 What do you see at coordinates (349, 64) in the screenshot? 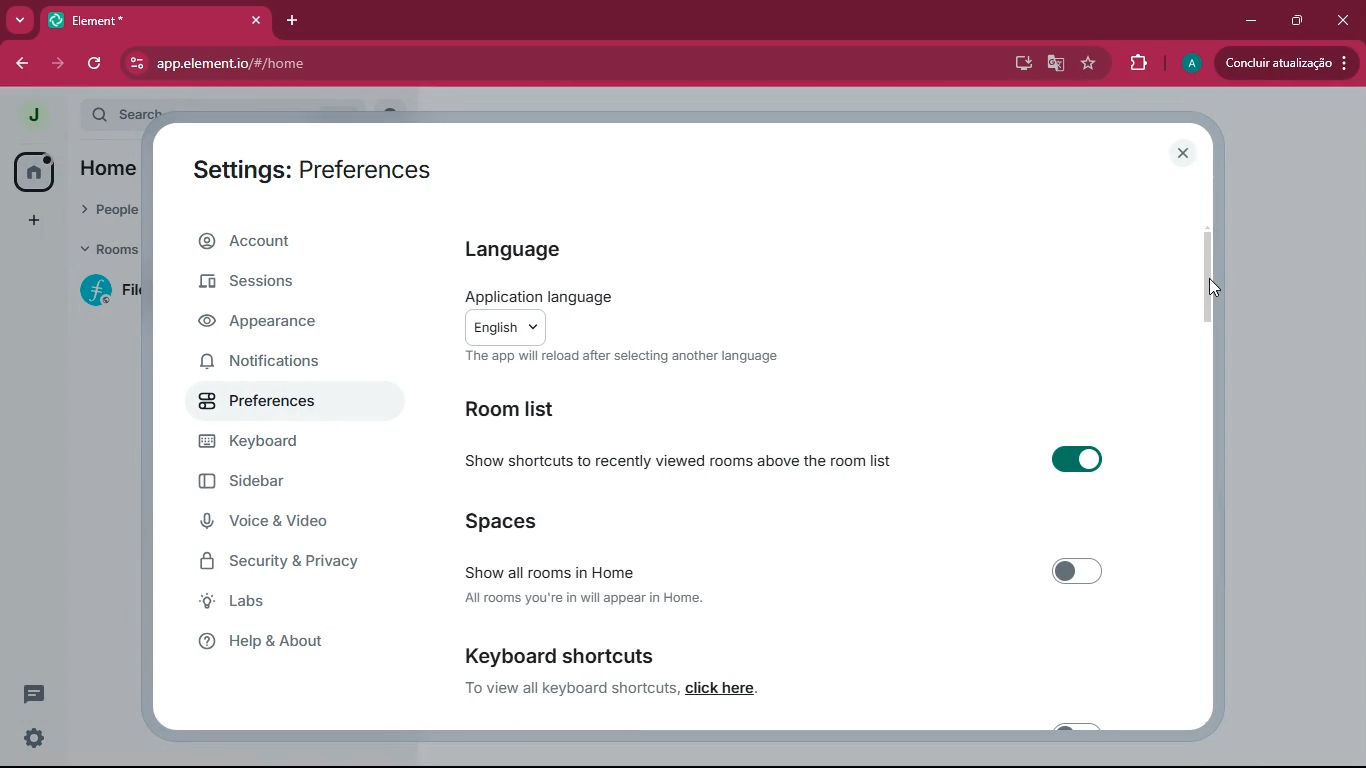
I see `app.element.io/#/home` at bounding box center [349, 64].